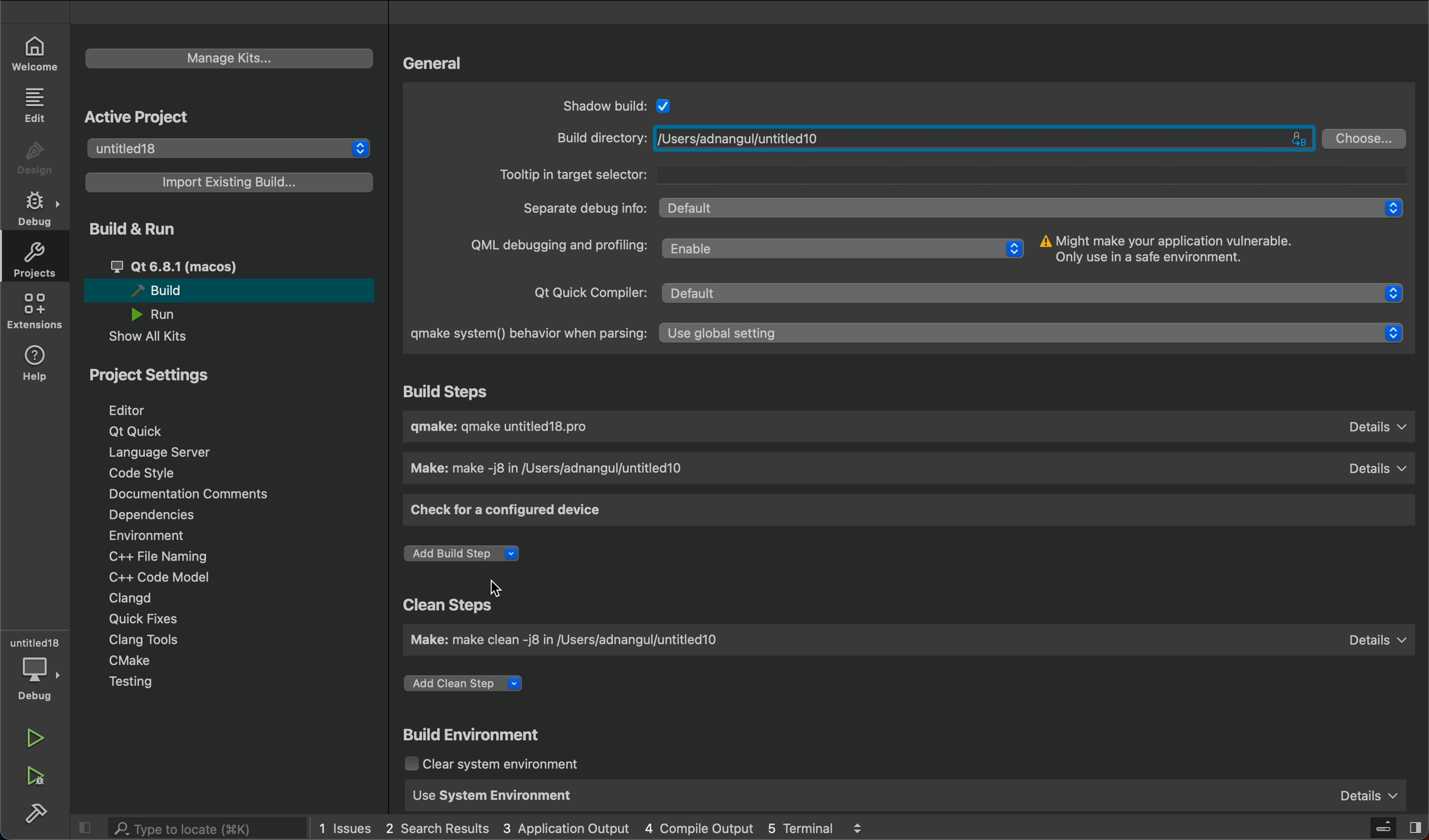  What do you see at coordinates (159, 556) in the screenshot?
I see `C++ File Naming` at bounding box center [159, 556].